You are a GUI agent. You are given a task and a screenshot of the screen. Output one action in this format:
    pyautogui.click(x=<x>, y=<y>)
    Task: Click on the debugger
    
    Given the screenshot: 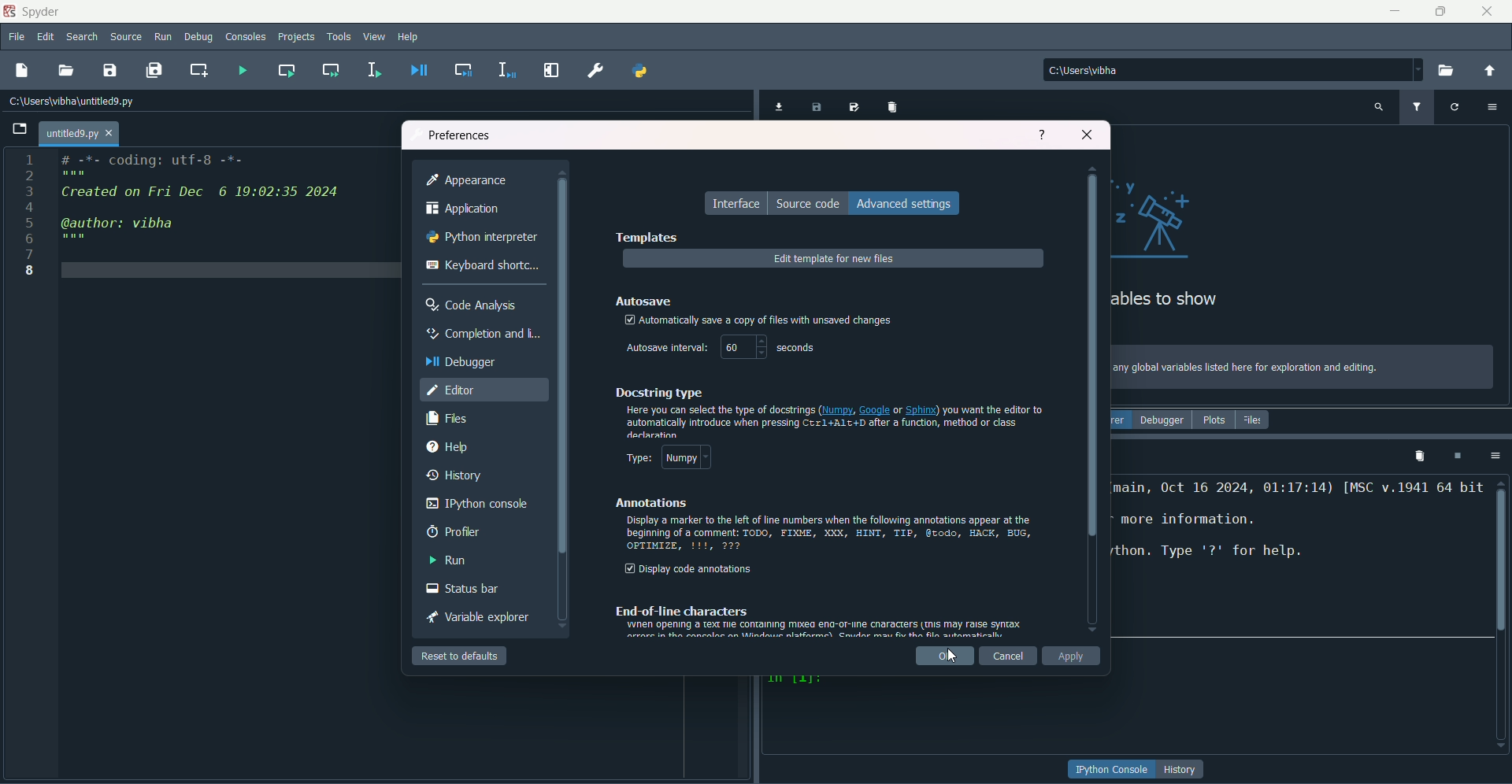 What is the action you would take?
    pyautogui.click(x=461, y=361)
    